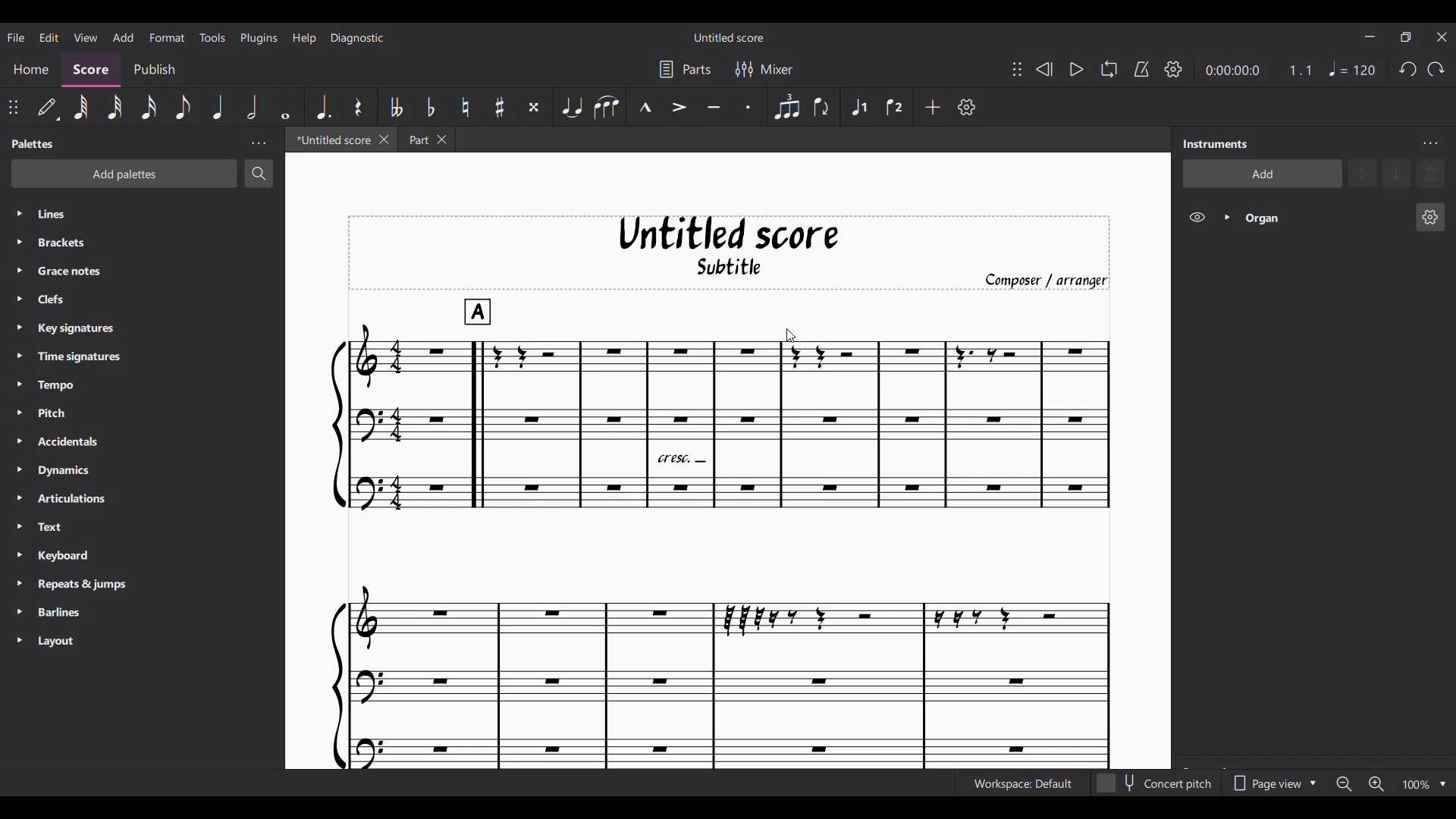  I want to click on Toggle double sharp, so click(535, 106).